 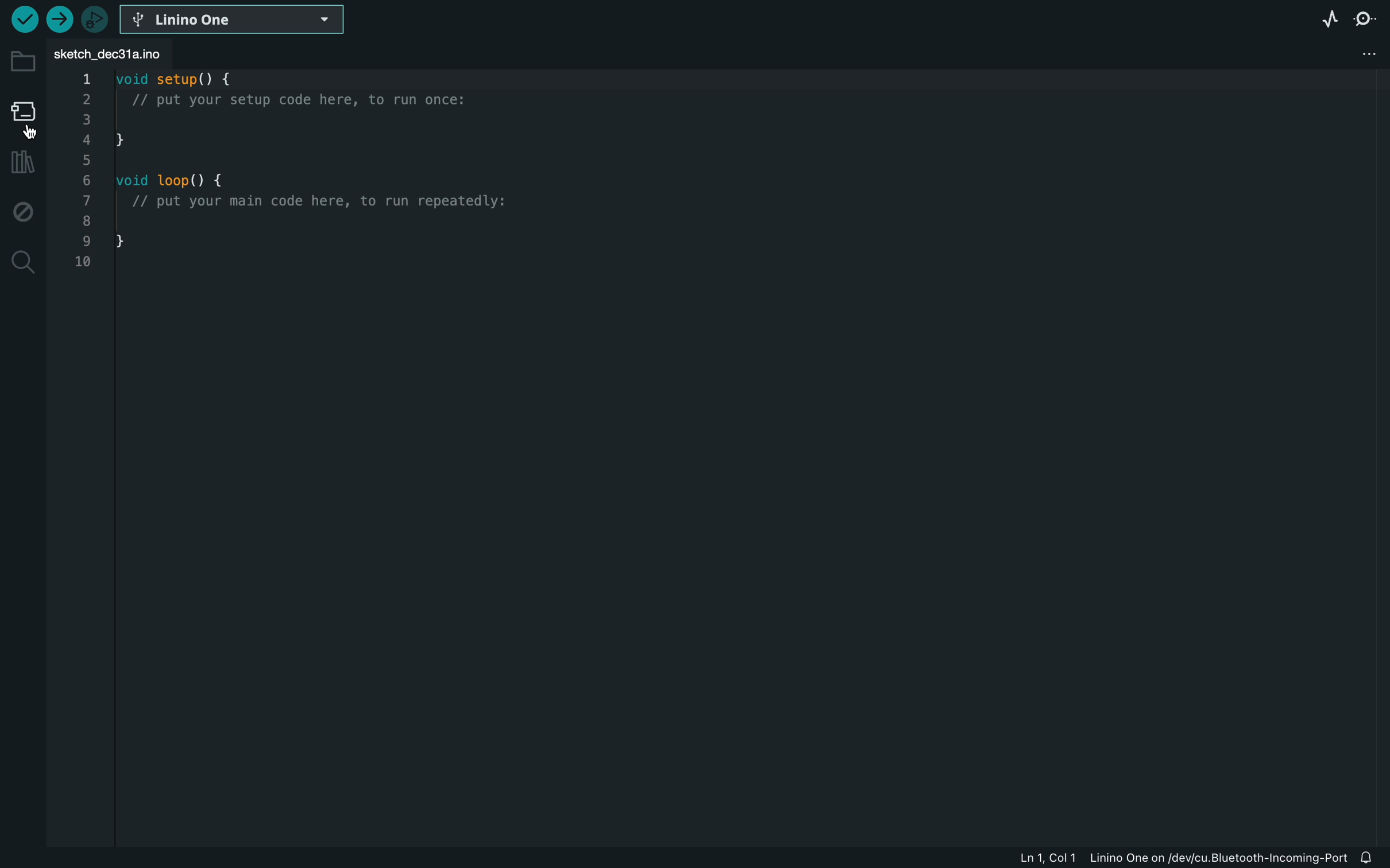 What do you see at coordinates (82, 79) in the screenshot?
I see `1` at bounding box center [82, 79].